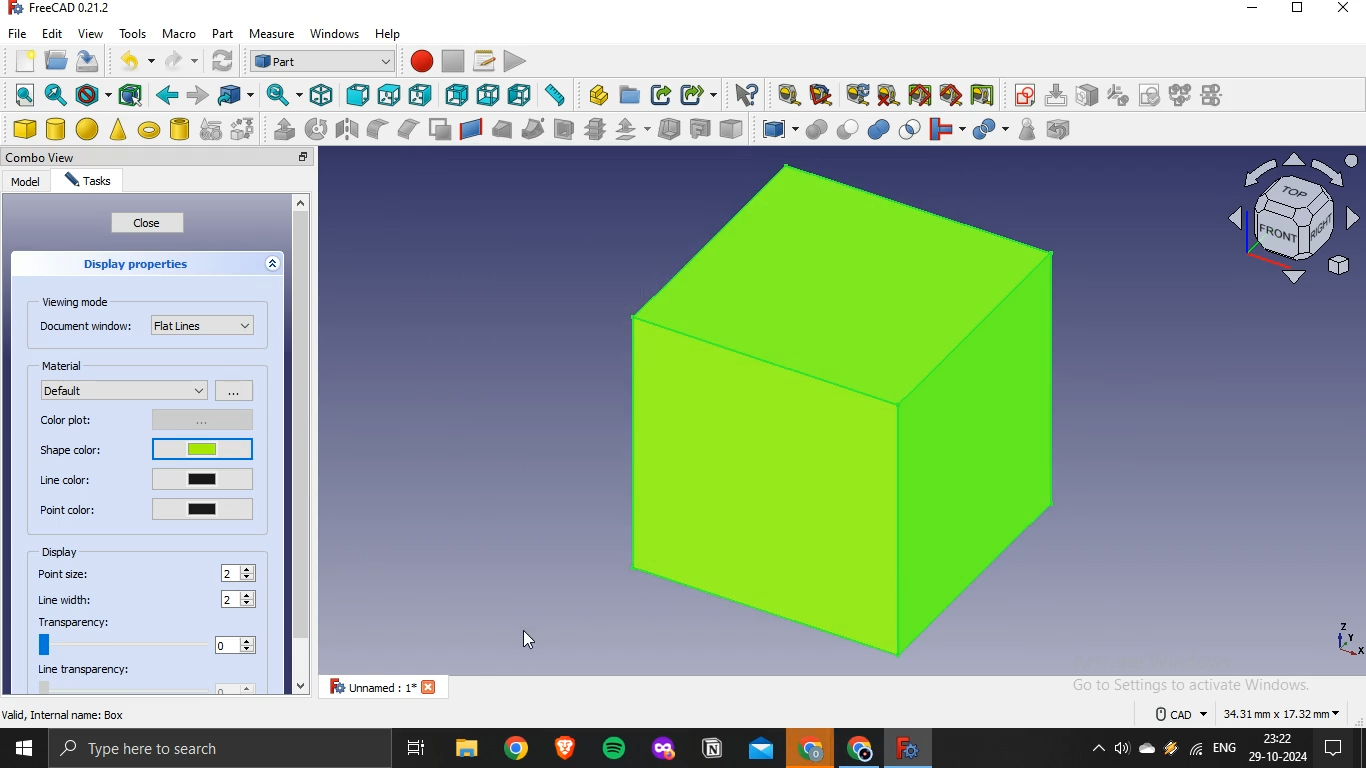 The image size is (1366, 768). I want to click on onedrive, so click(1147, 750).